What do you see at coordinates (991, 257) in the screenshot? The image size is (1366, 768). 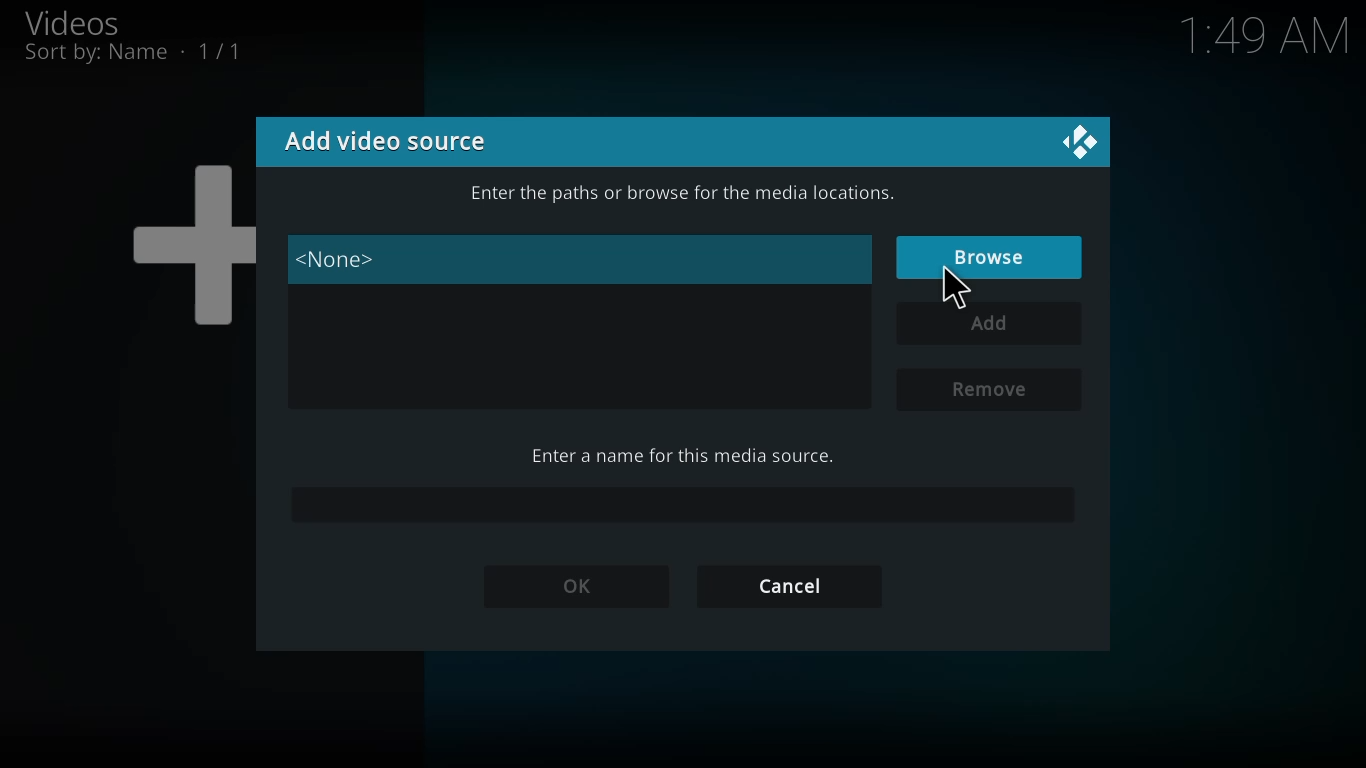 I see `browse` at bounding box center [991, 257].